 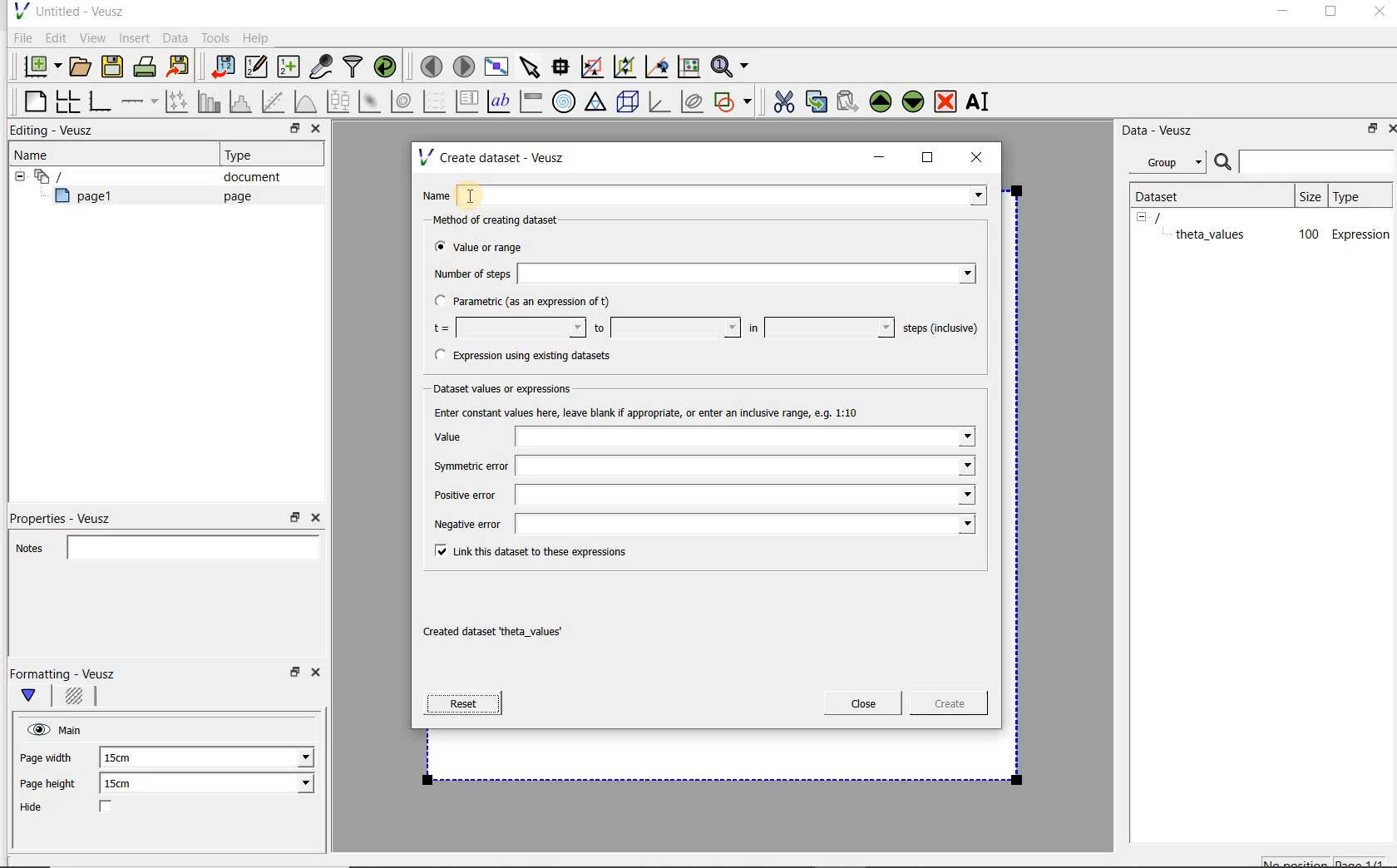 What do you see at coordinates (314, 518) in the screenshot?
I see `Close` at bounding box center [314, 518].